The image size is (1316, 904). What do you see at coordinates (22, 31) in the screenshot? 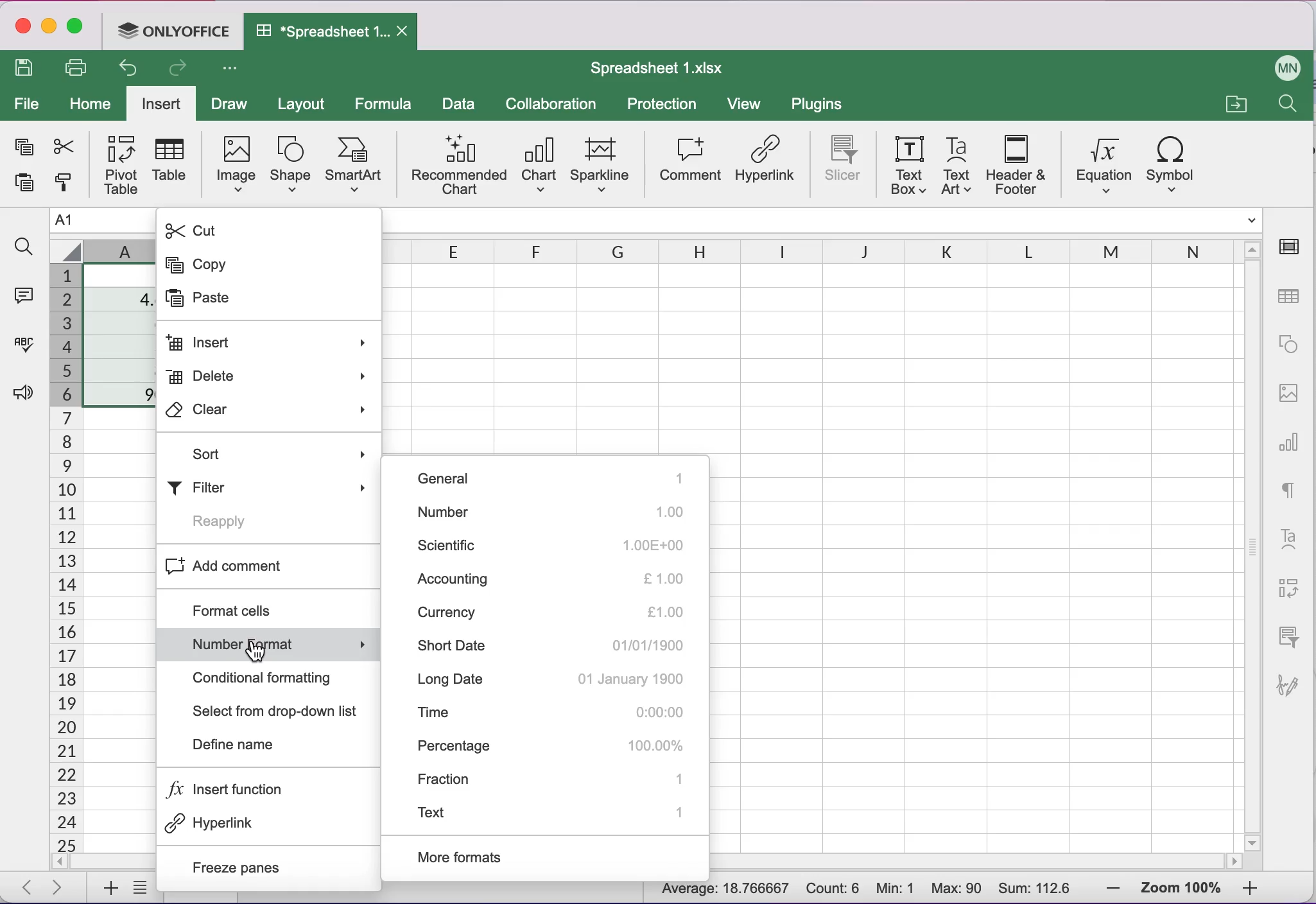
I see `close` at bounding box center [22, 31].